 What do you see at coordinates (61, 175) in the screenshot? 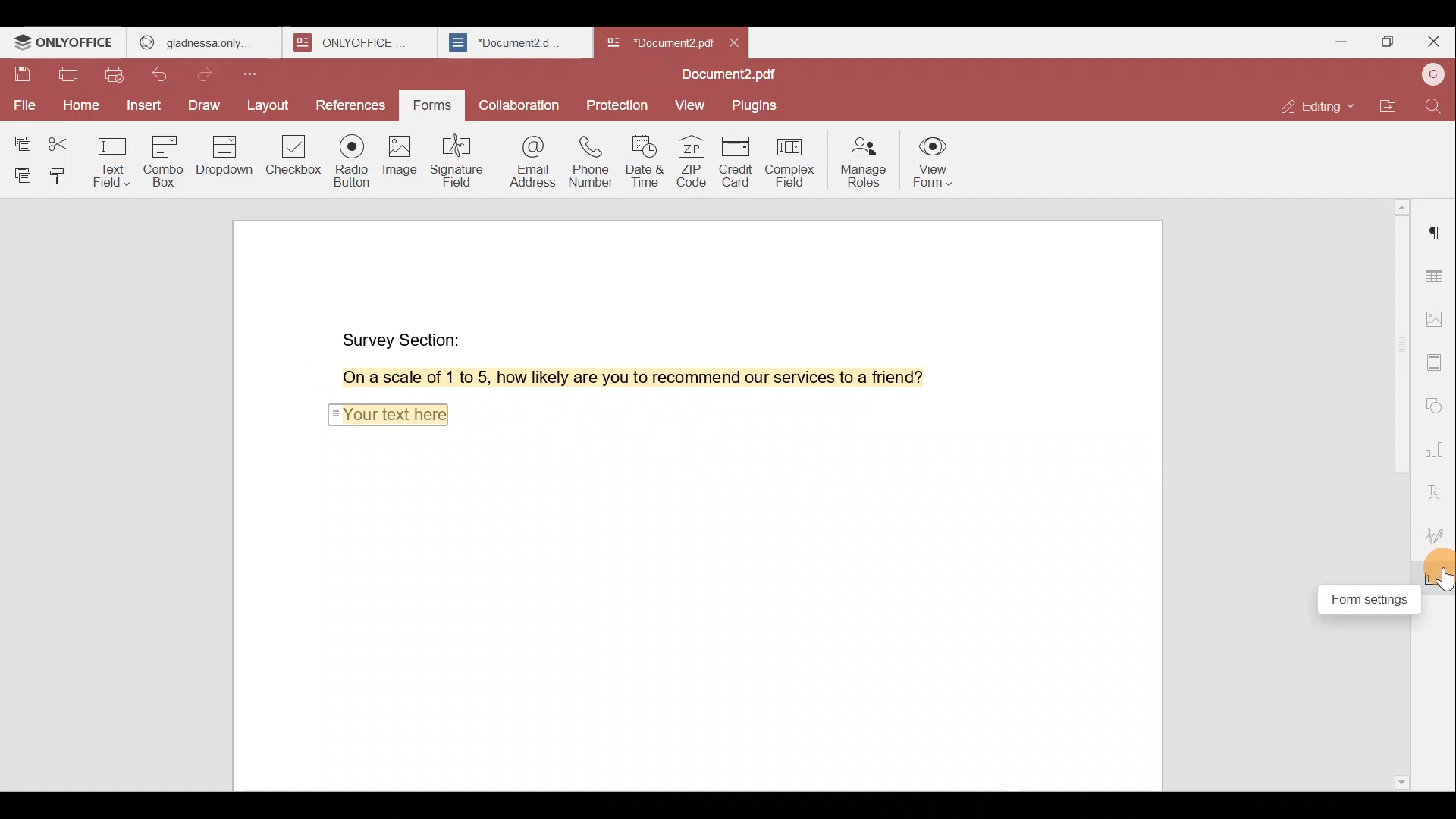
I see `Copy style` at bounding box center [61, 175].